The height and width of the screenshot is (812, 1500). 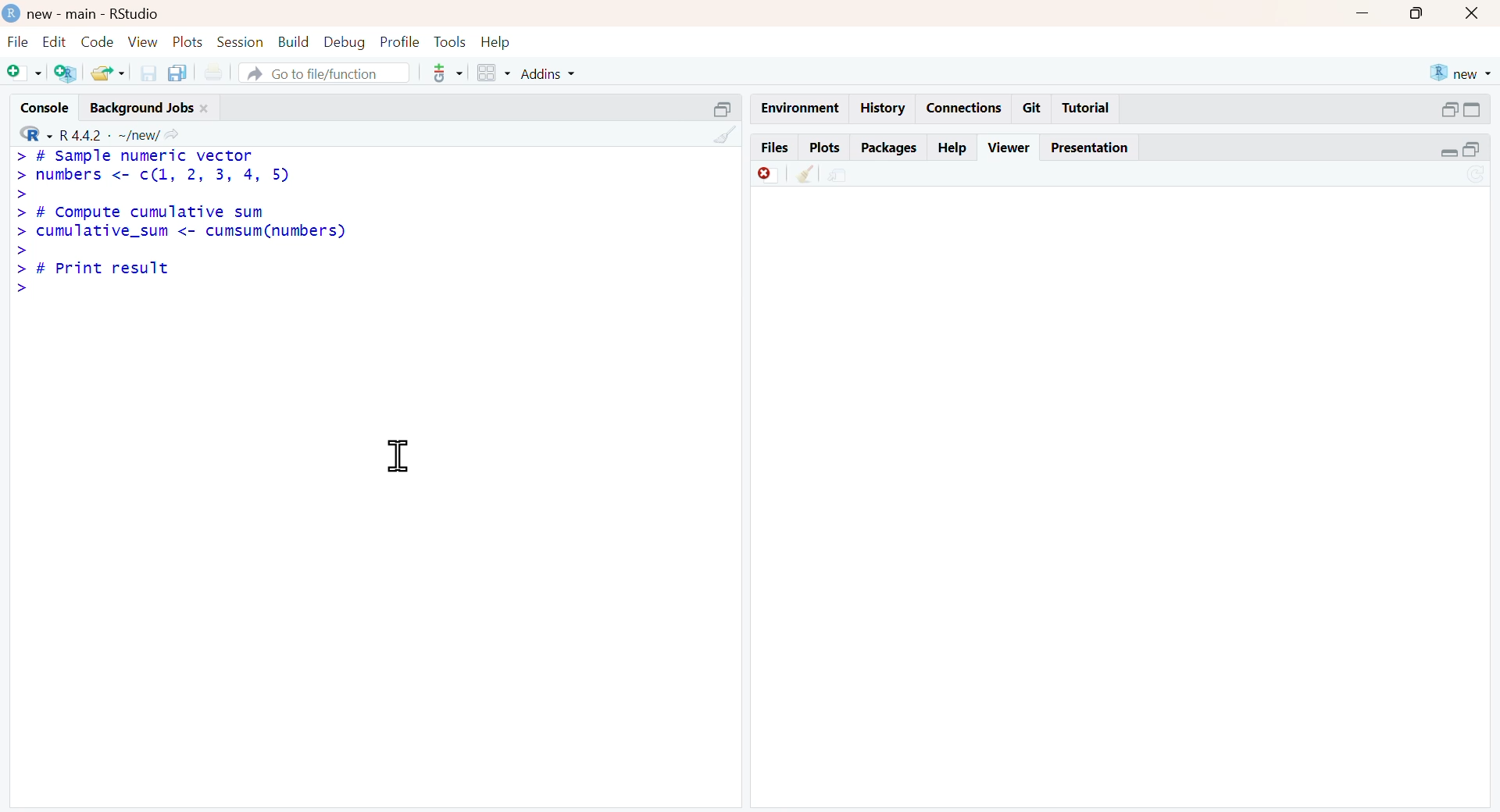 What do you see at coordinates (1448, 152) in the screenshot?
I see `expand/collapse` at bounding box center [1448, 152].